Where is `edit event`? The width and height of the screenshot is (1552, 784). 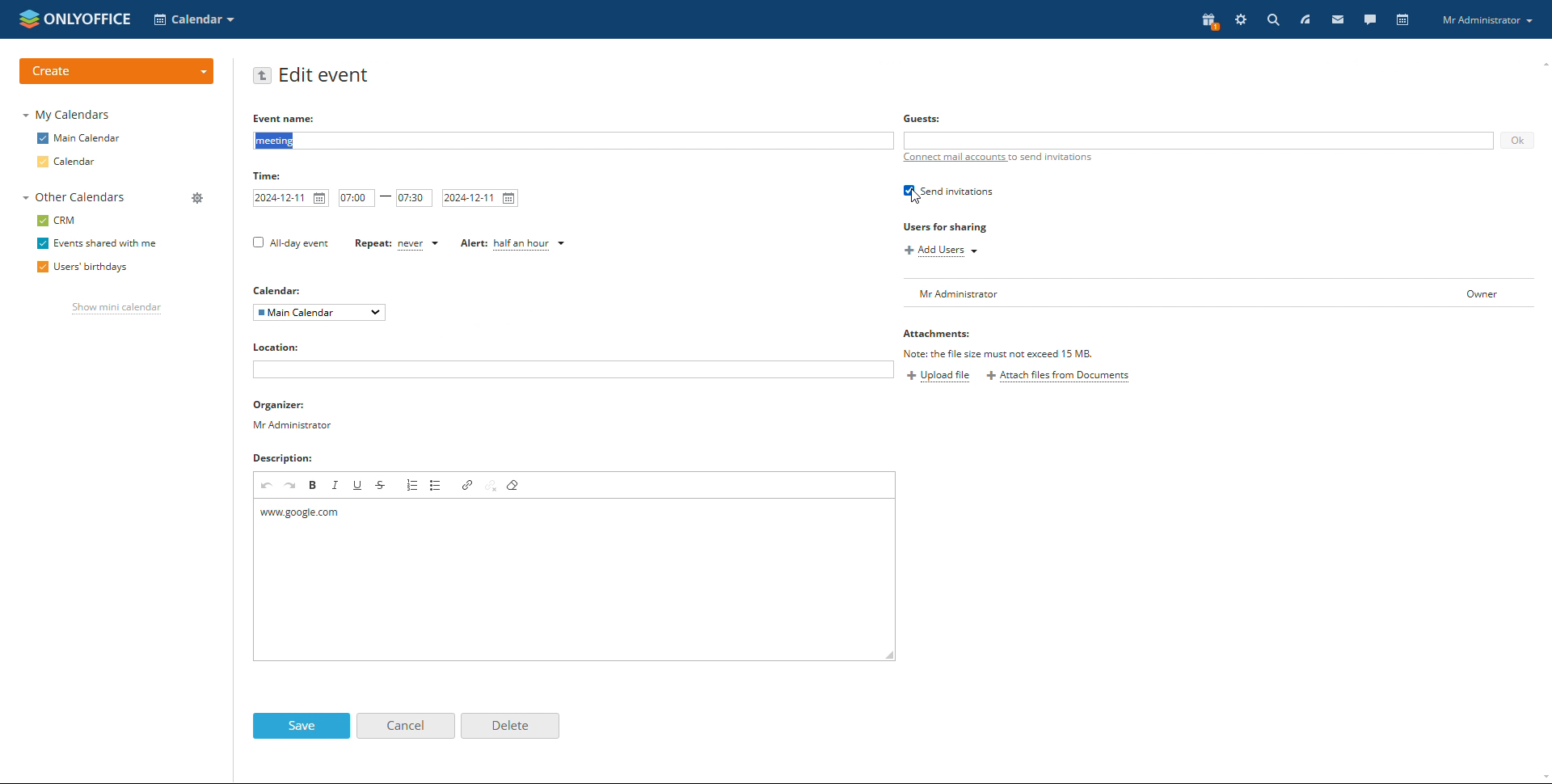 edit event is located at coordinates (326, 76).